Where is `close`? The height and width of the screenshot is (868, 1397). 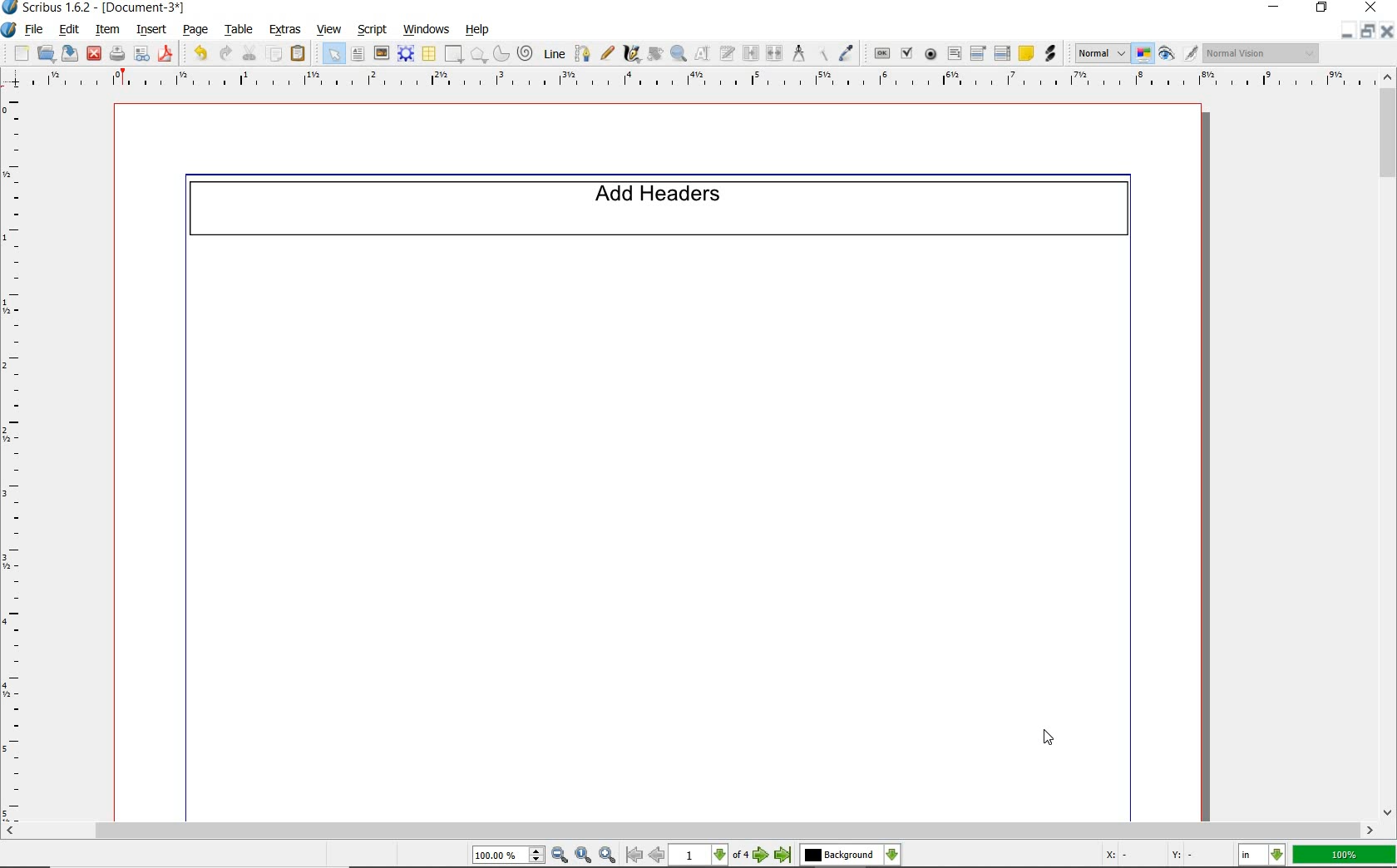 close is located at coordinates (1389, 31).